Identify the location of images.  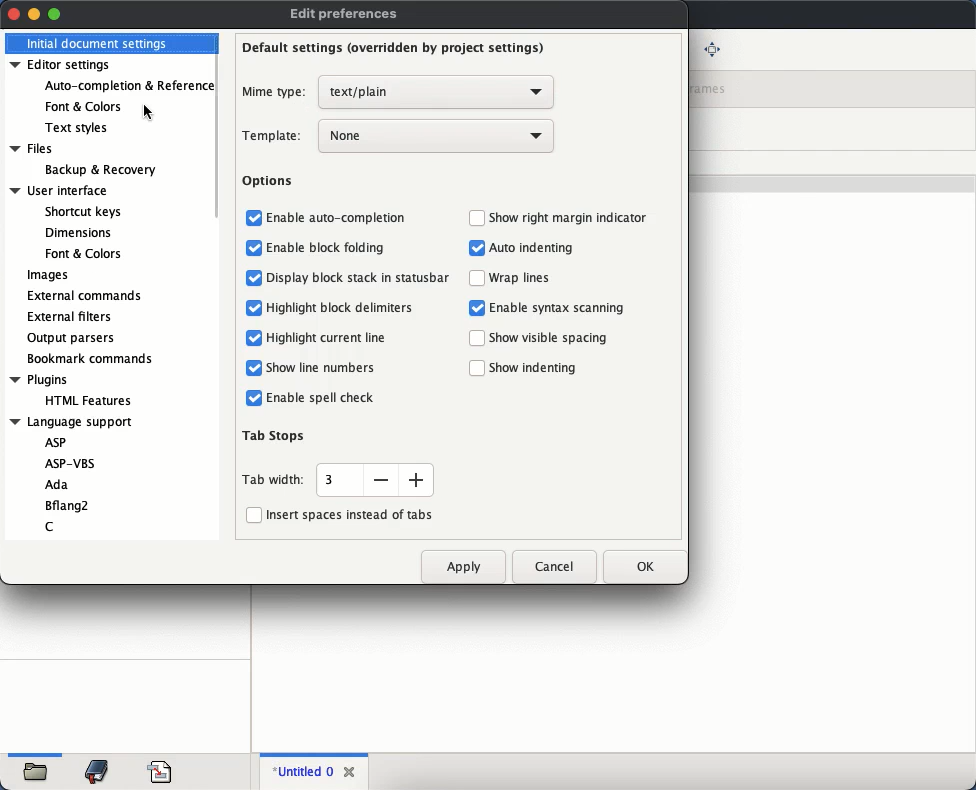
(48, 275).